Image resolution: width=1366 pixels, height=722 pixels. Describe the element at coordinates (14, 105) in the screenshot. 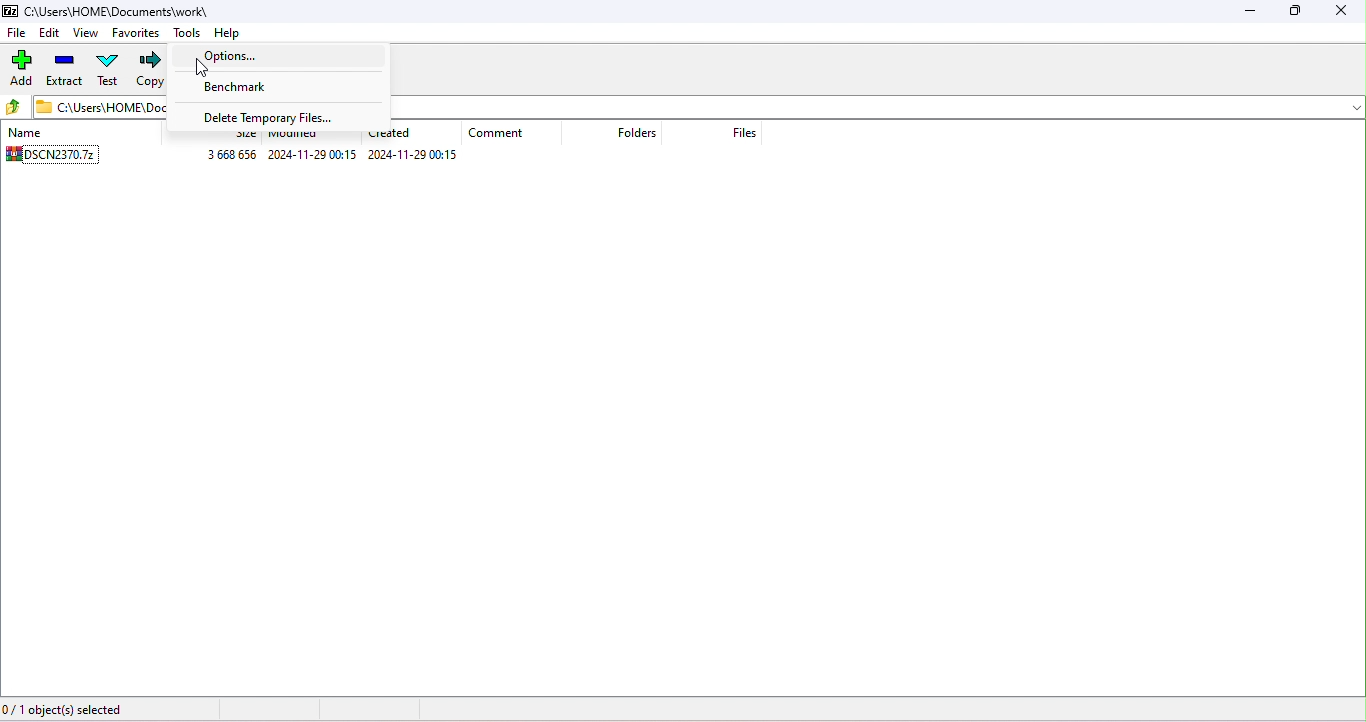

I see `up to previous folder` at that location.